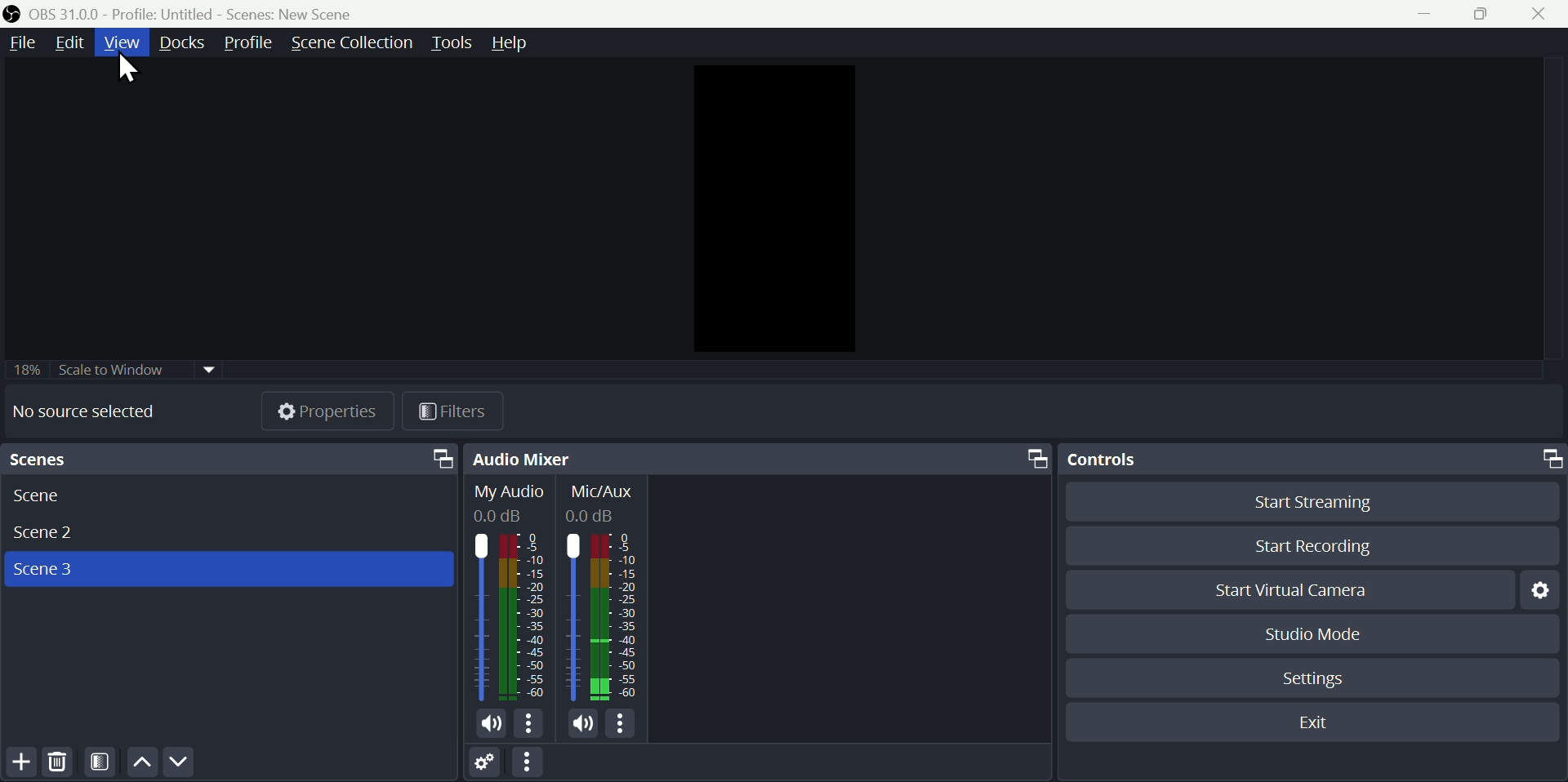  What do you see at coordinates (625, 725) in the screenshot?
I see `More options` at bounding box center [625, 725].